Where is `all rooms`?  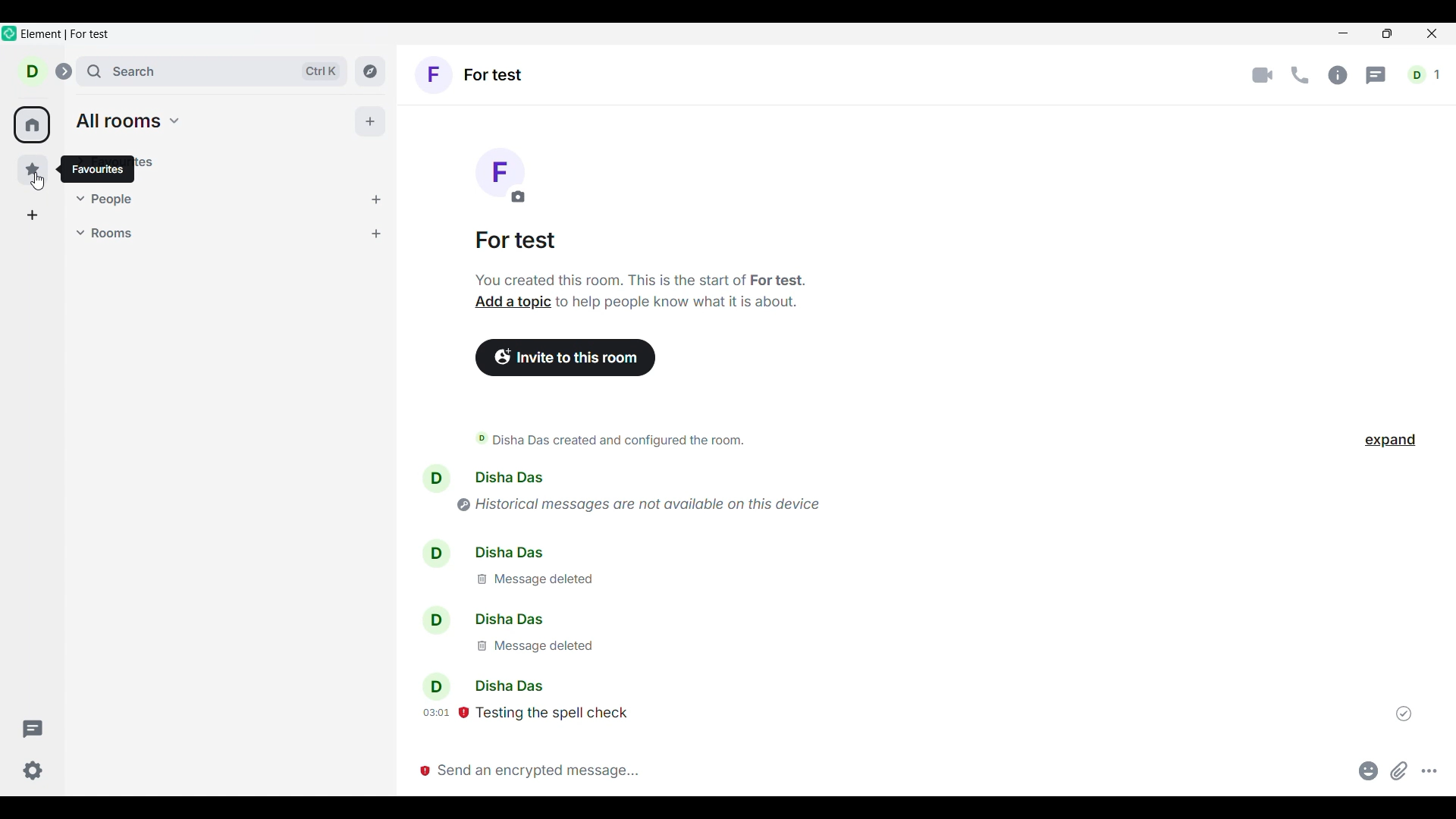 all rooms is located at coordinates (129, 121).